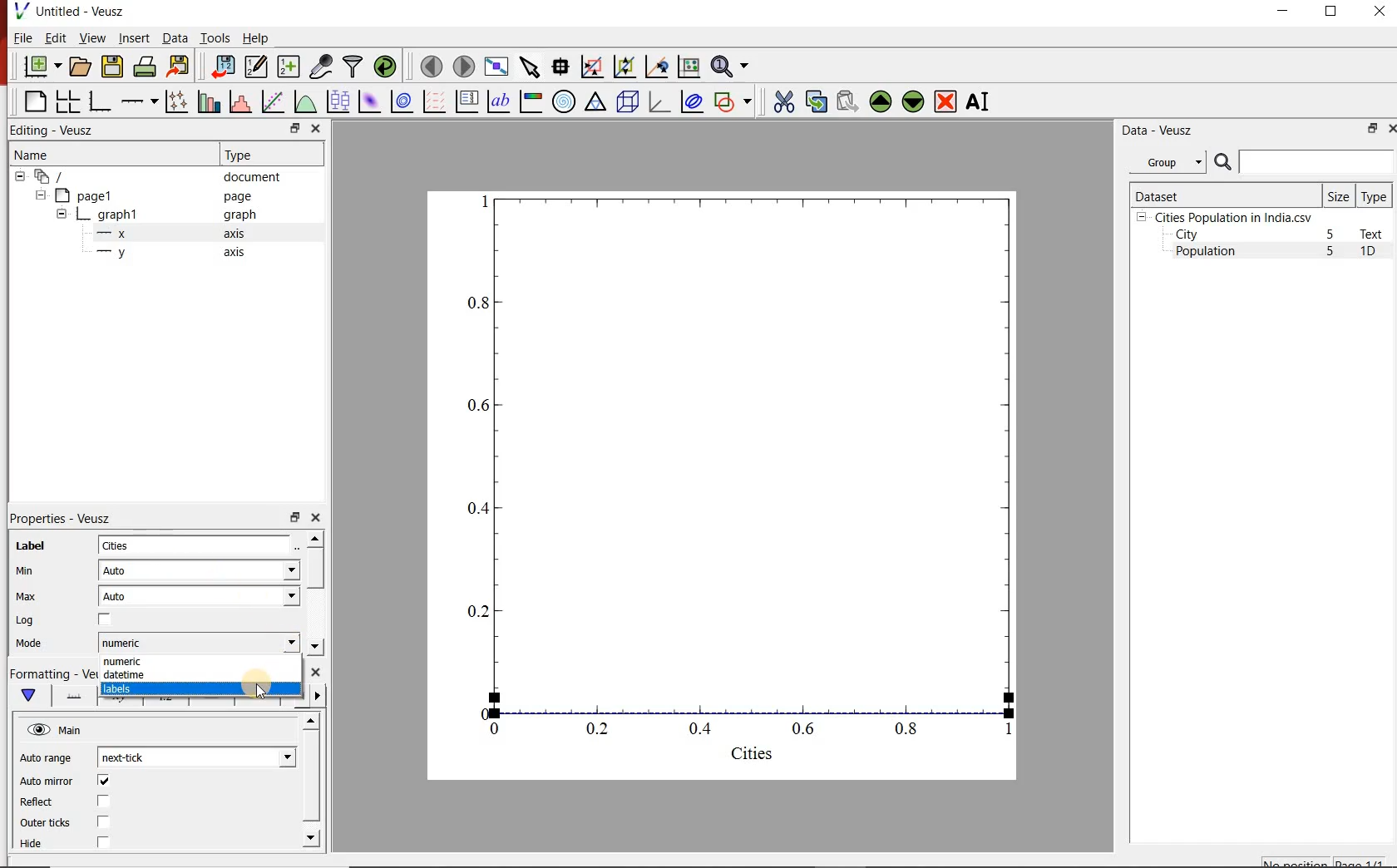 The height and width of the screenshot is (868, 1397). Describe the element at coordinates (1305, 162) in the screenshot. I see `search dataset` at that location.